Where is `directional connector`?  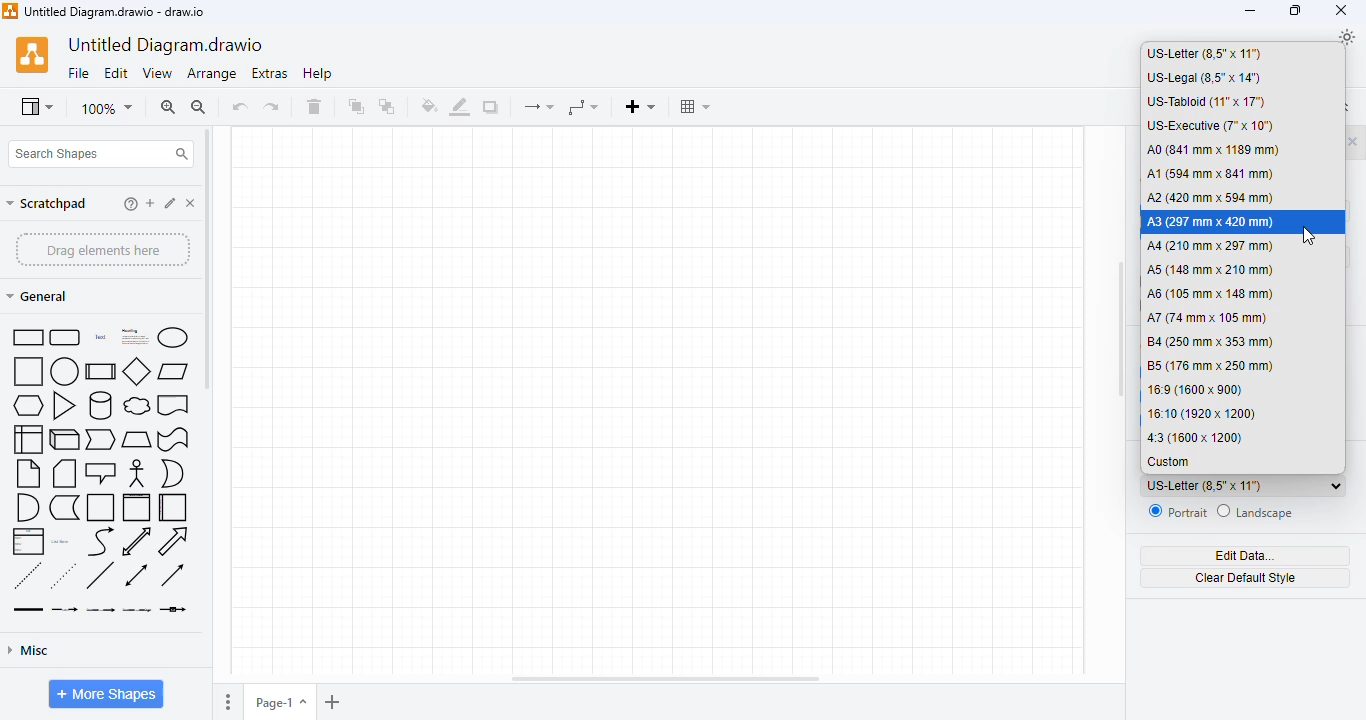
directional connector is located at coordinates (172, 574).